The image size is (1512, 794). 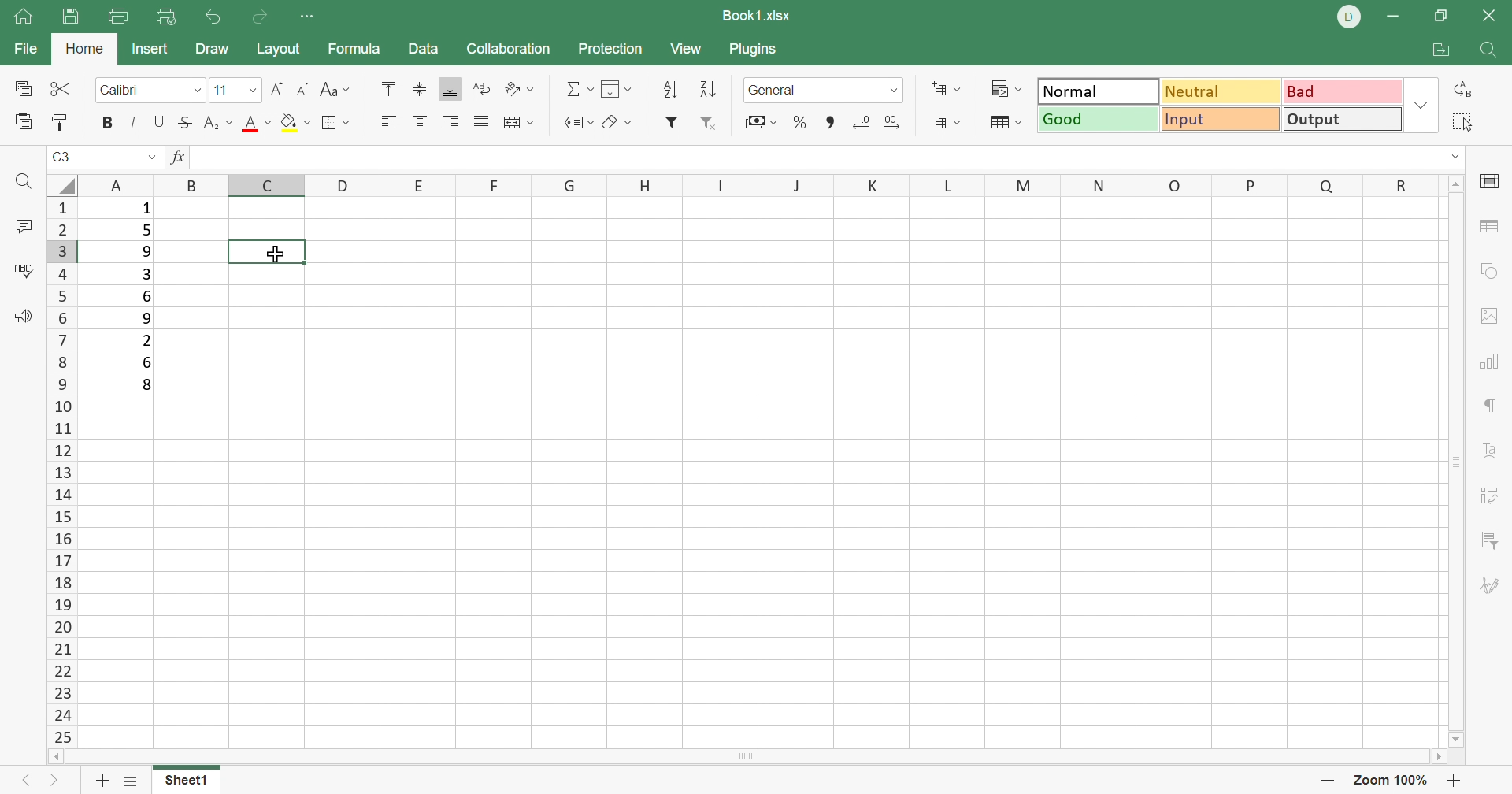 I want to click on Percent style, so click(x=798, y=122).